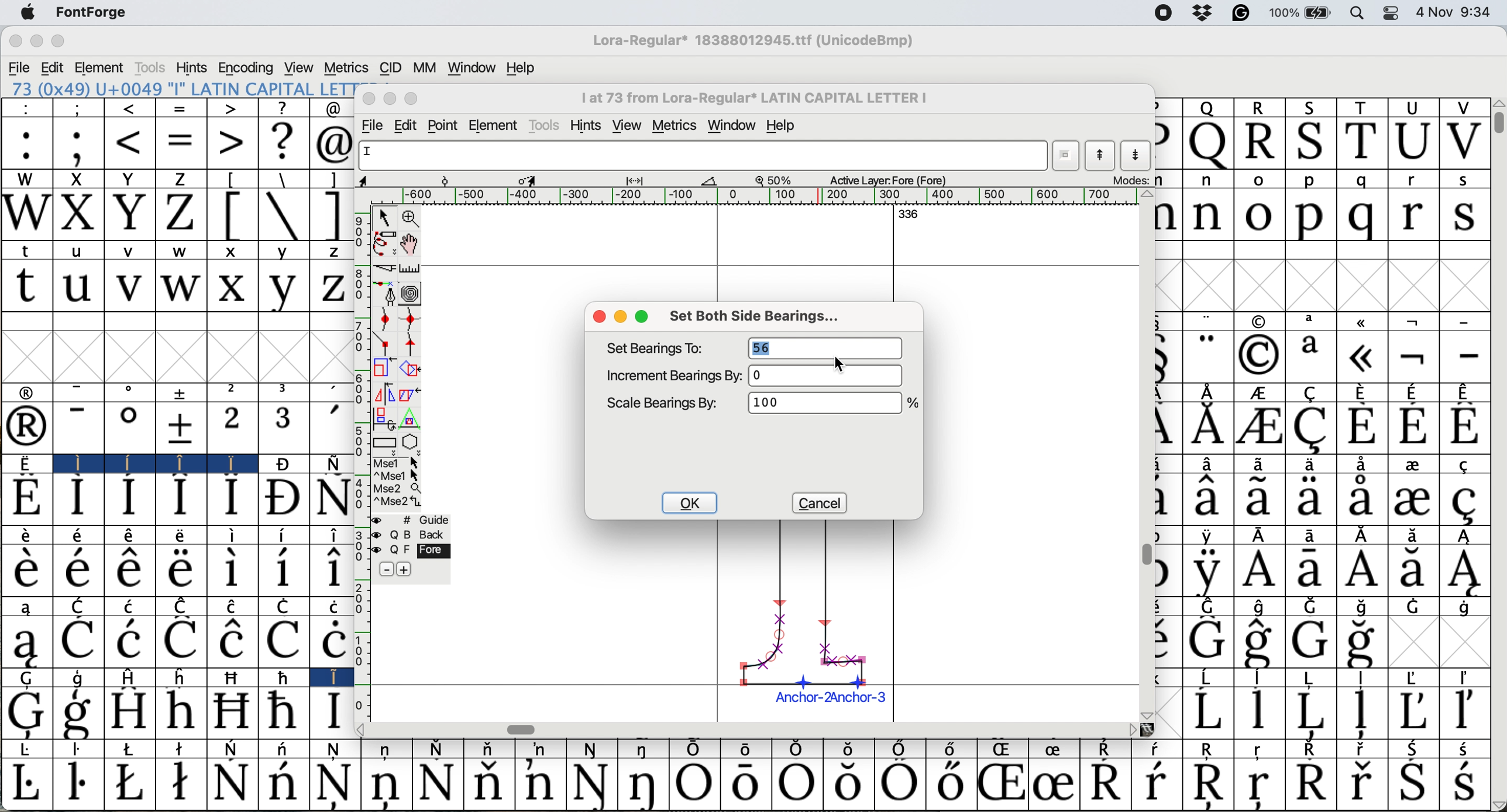 The height and width of the screenshot is (812, 1507). What do you see at coordinates (53, 68) in the screenshot?
I see `edit` at bounding box center [53, 68].